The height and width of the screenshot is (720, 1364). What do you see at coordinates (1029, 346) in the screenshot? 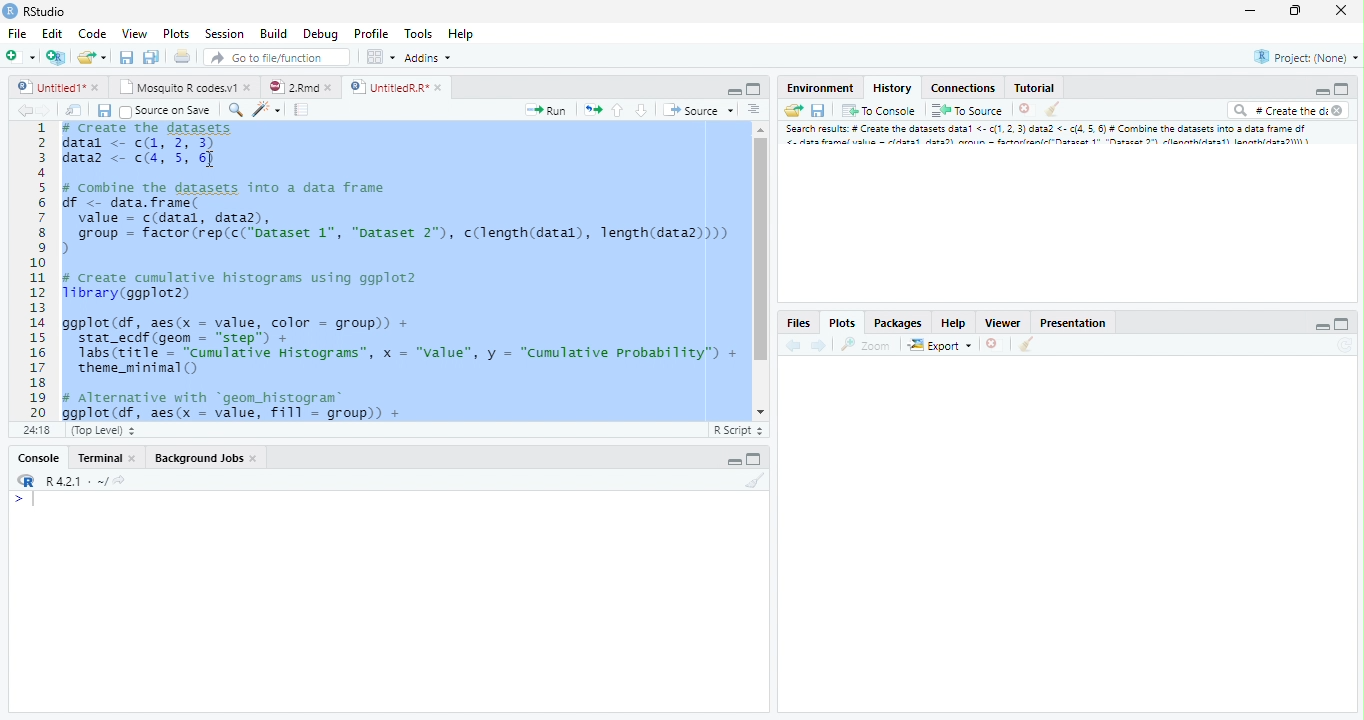
I see `Clear console` at bounding box center [1029, 346].